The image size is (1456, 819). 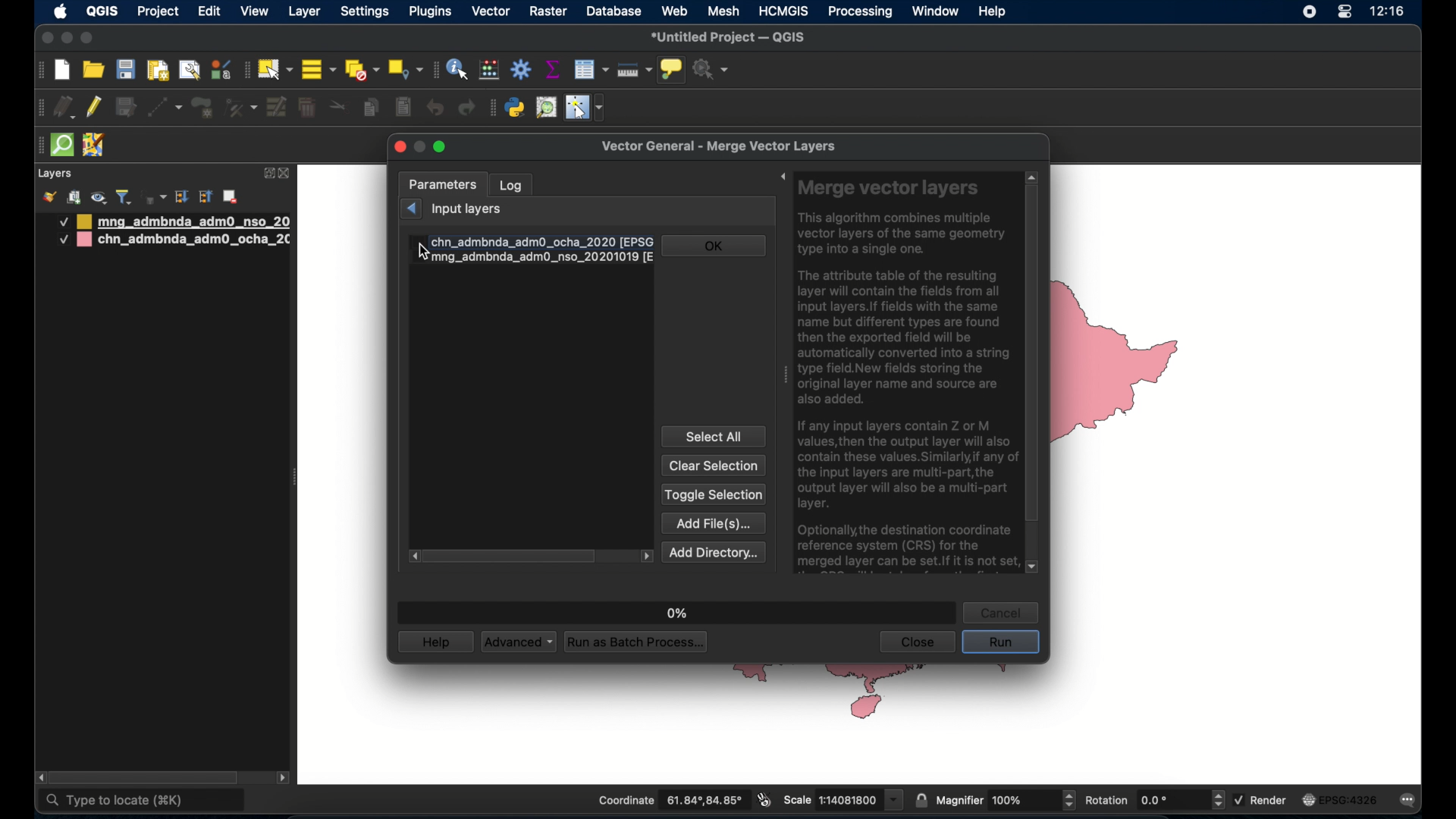 I want to click on vertex tool, so click(x=240, y=106).